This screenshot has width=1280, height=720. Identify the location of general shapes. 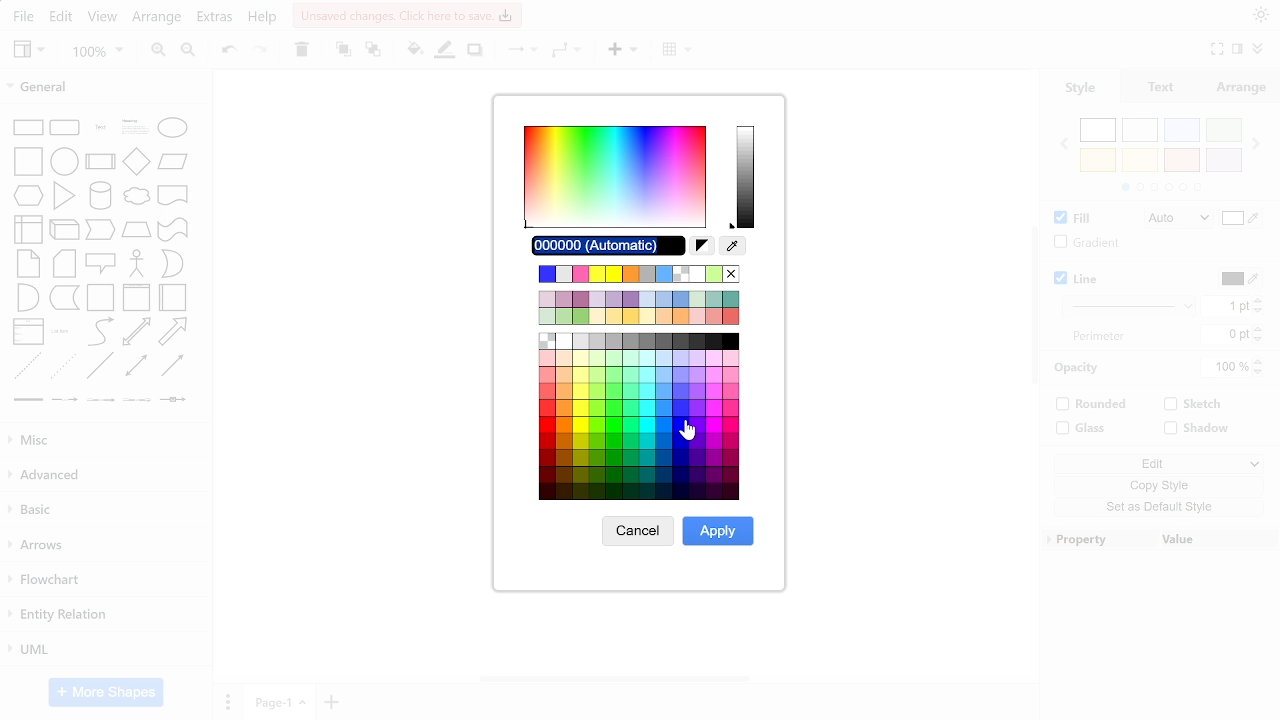
(104, 259).